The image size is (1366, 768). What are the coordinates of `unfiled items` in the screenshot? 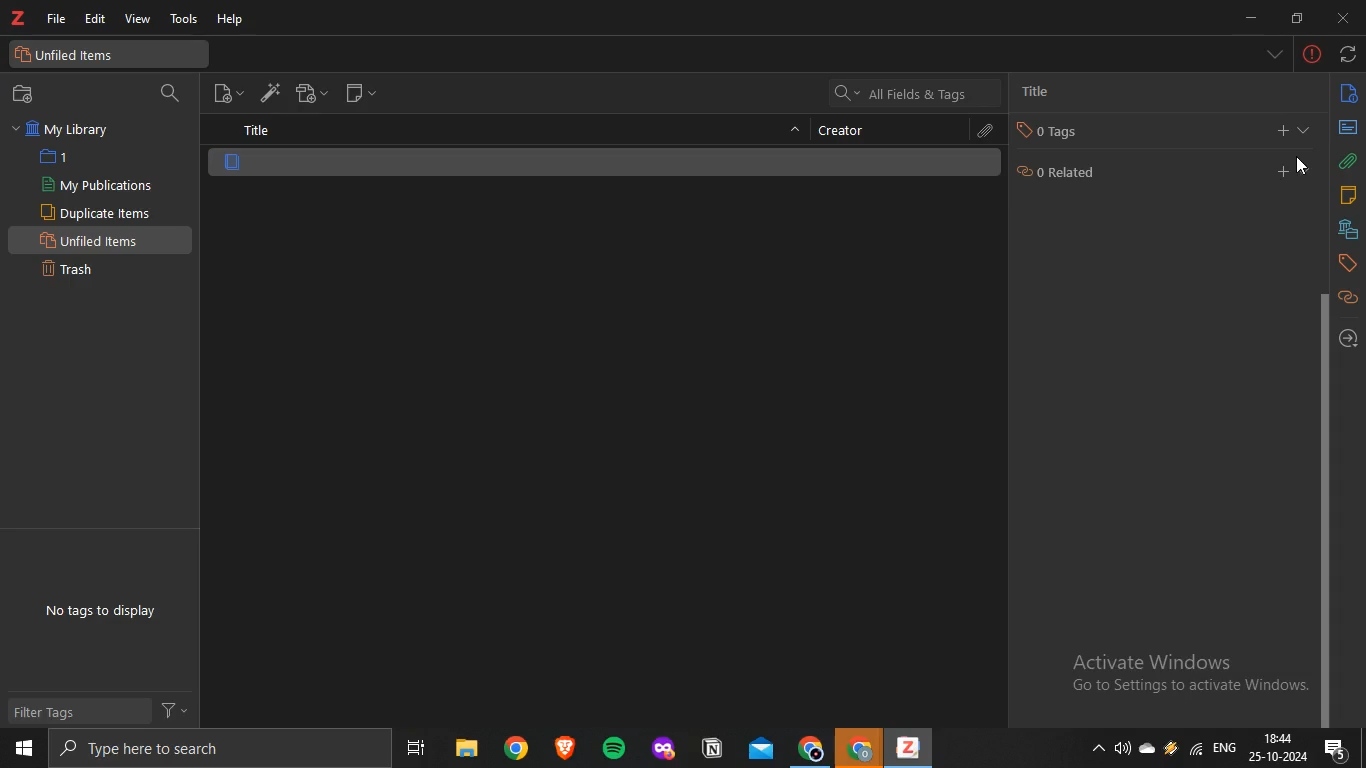 It's located at (102, 240).